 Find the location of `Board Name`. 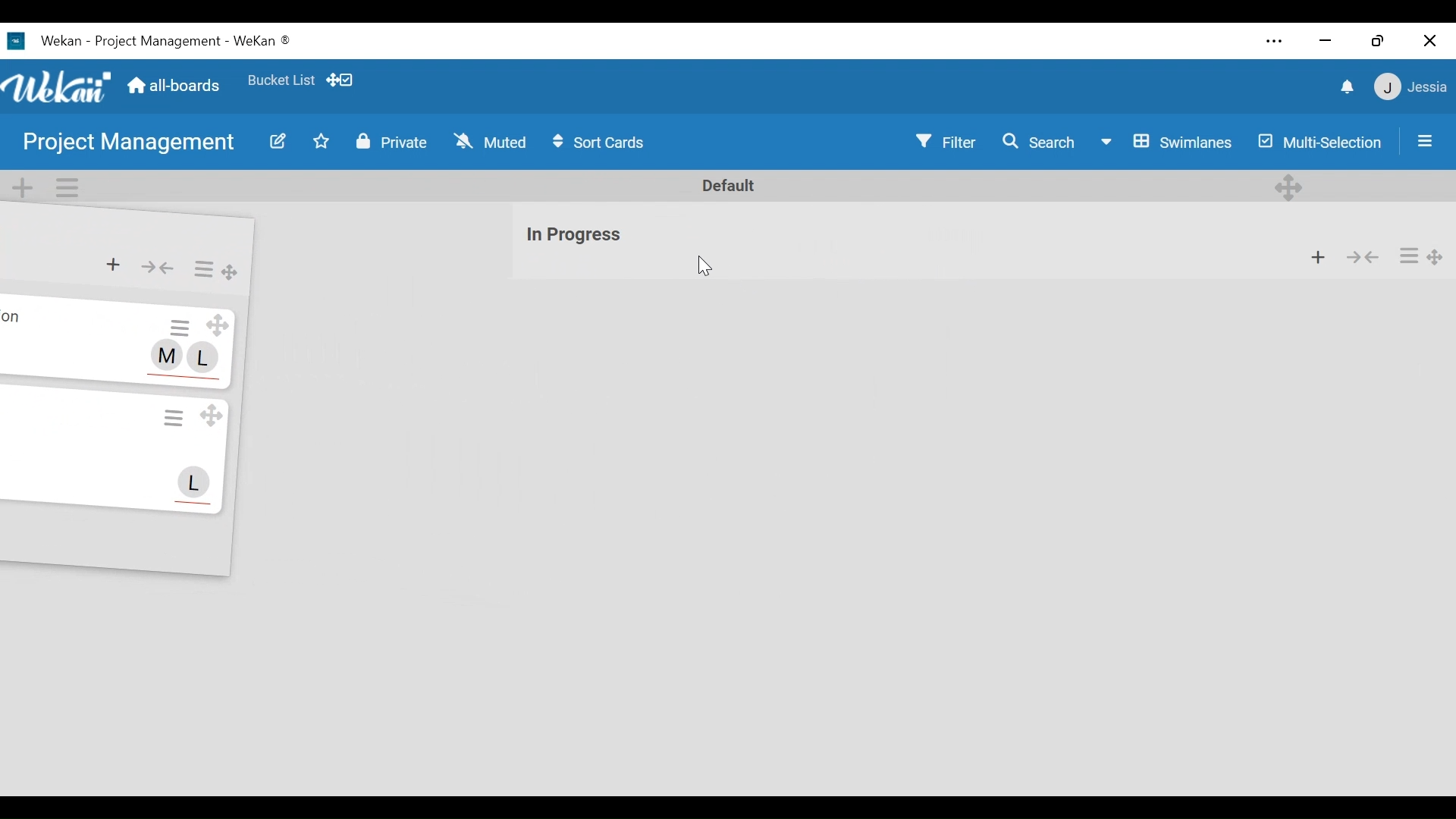

Board Name is located at coordinates (130, 142).